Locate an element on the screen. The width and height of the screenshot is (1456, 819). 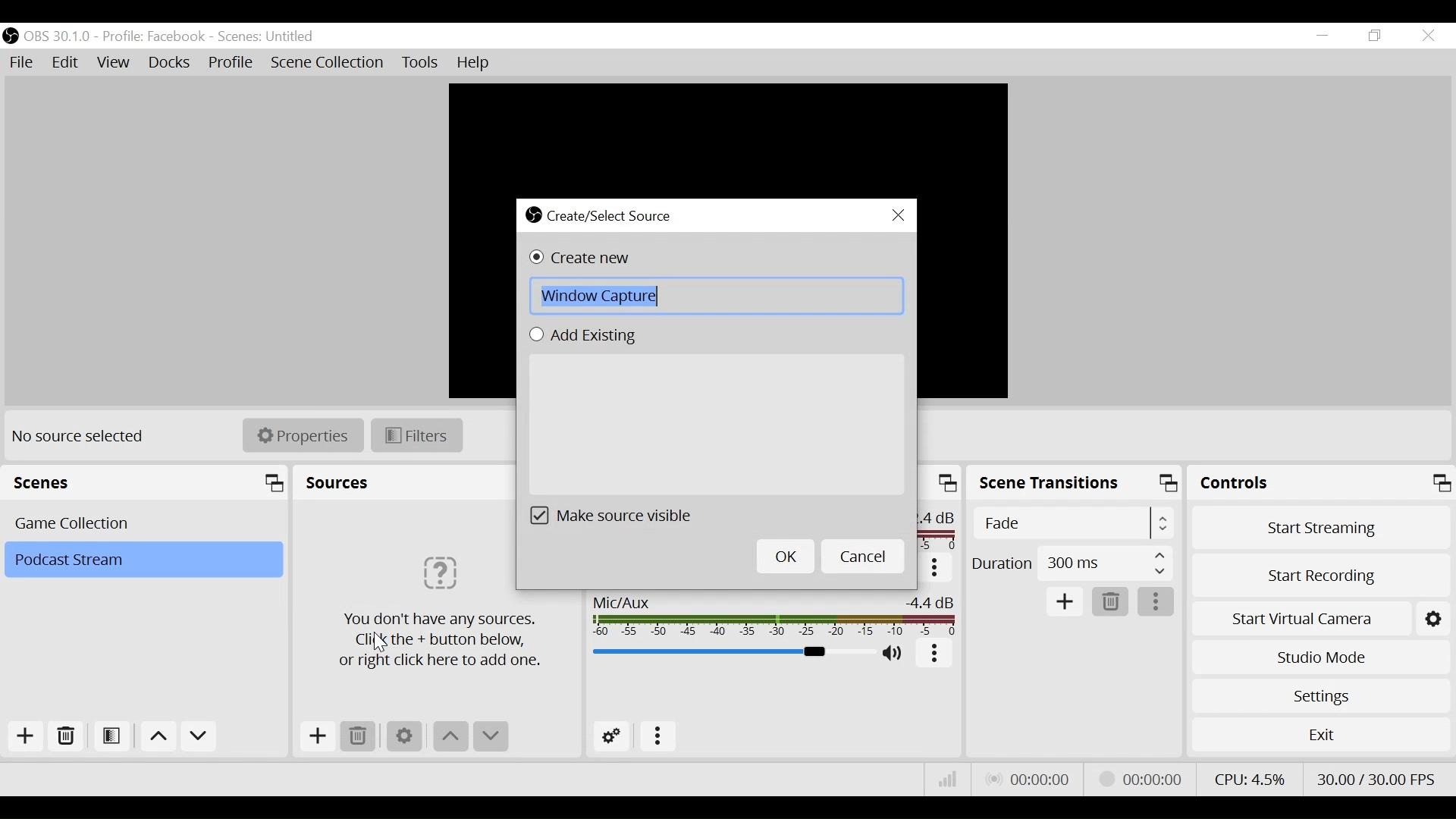
Bitrate is located at coordinates (946, 779).